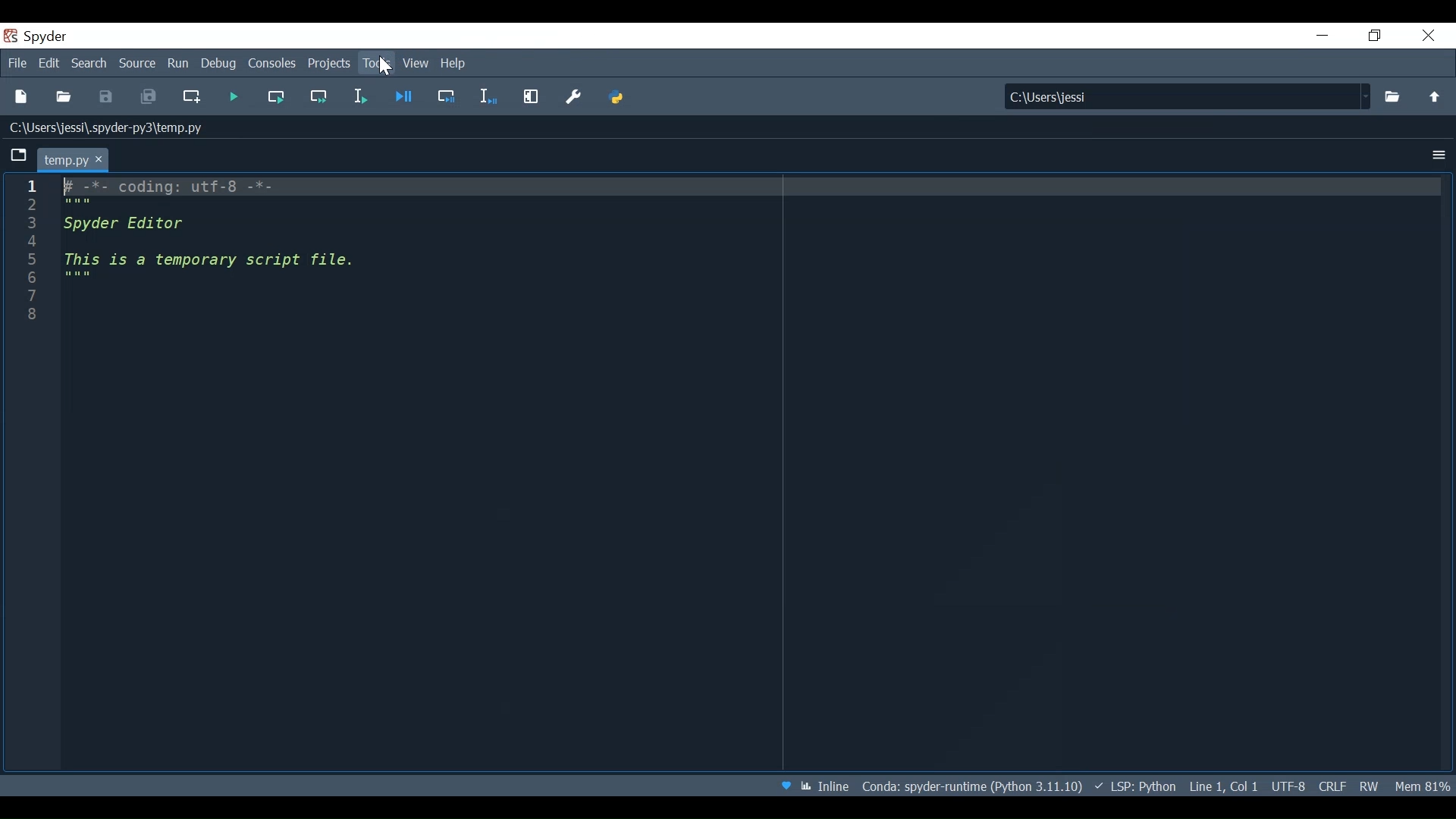 Image resolution: width=1456 pixels, height=819 pixels. I want to click on Find in Files, so click(1185, 96).